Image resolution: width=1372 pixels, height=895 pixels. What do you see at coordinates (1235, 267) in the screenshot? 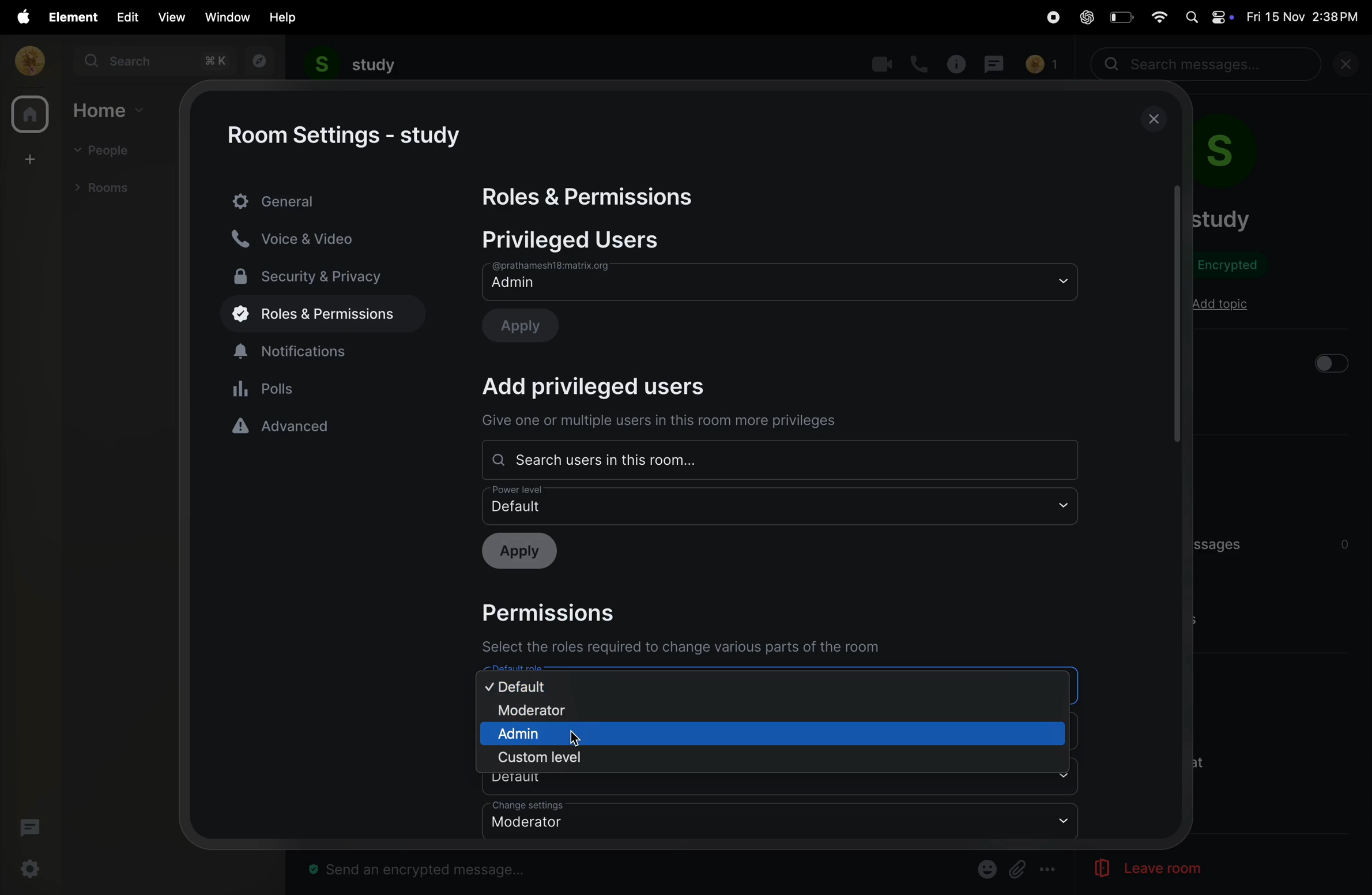
I see `encrypted` at bounding box center [1235, 267].